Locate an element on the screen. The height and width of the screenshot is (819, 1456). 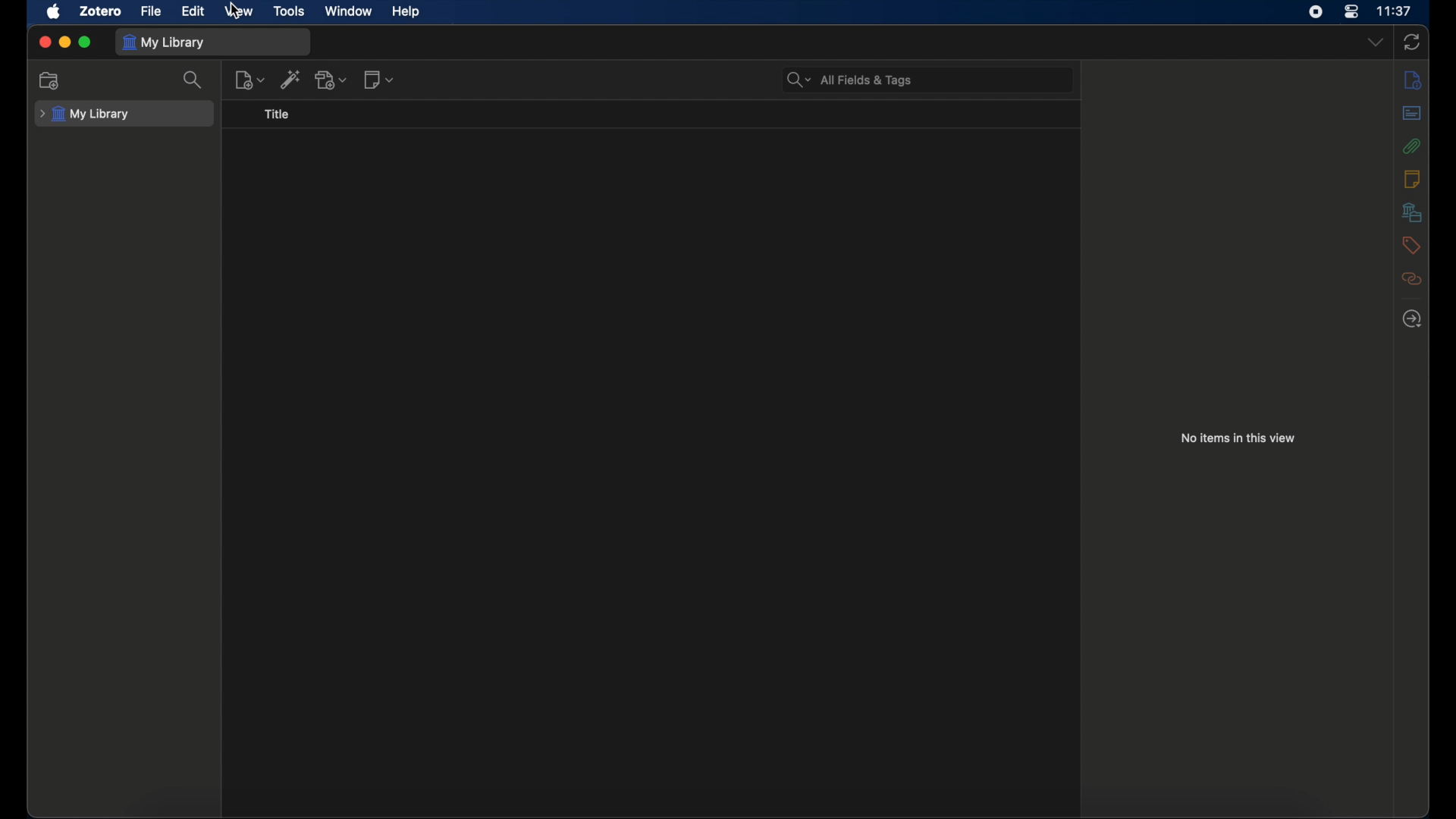
tools is located at coordinates (290, 11).